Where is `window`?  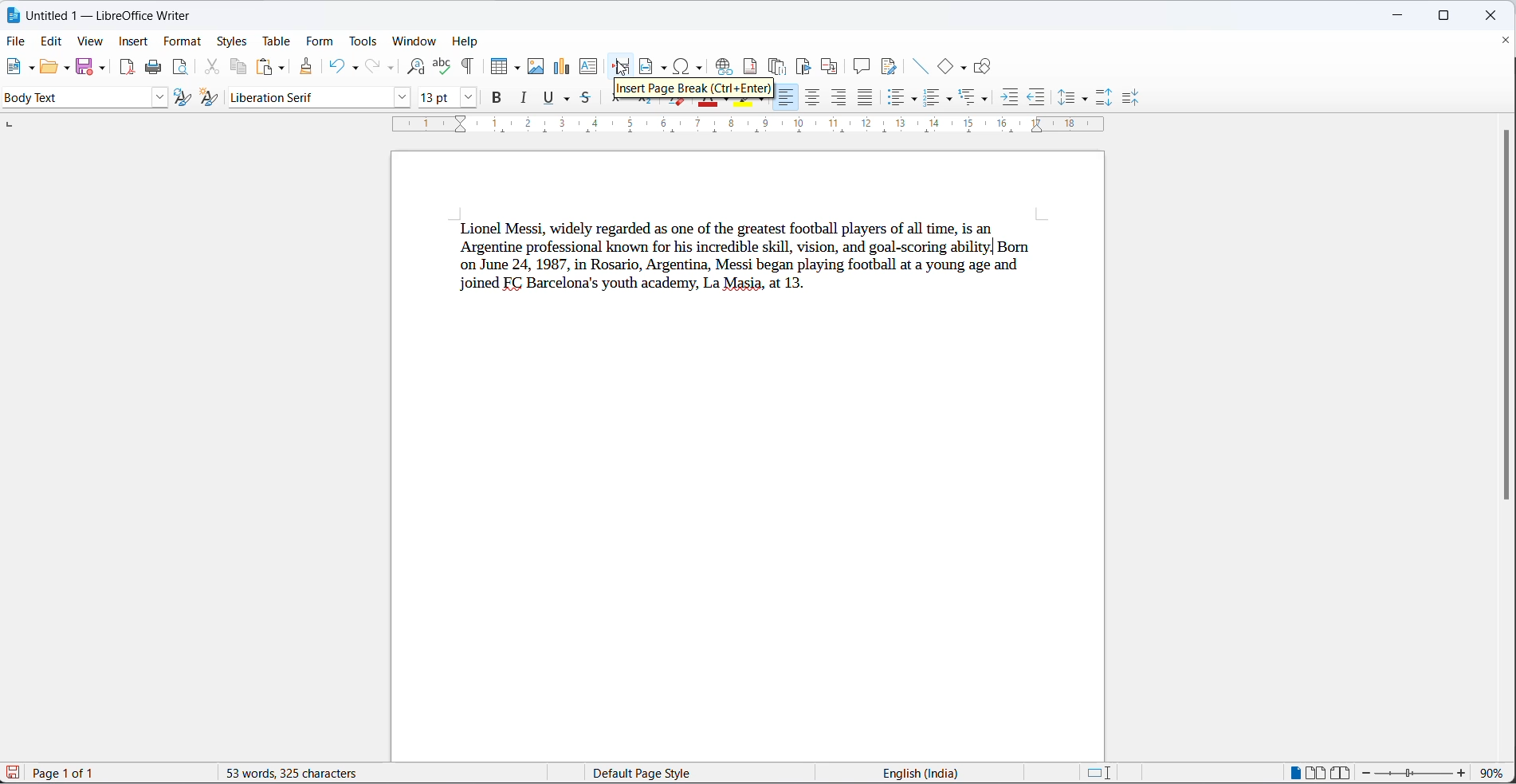
window is located at coordinates (413, 39).